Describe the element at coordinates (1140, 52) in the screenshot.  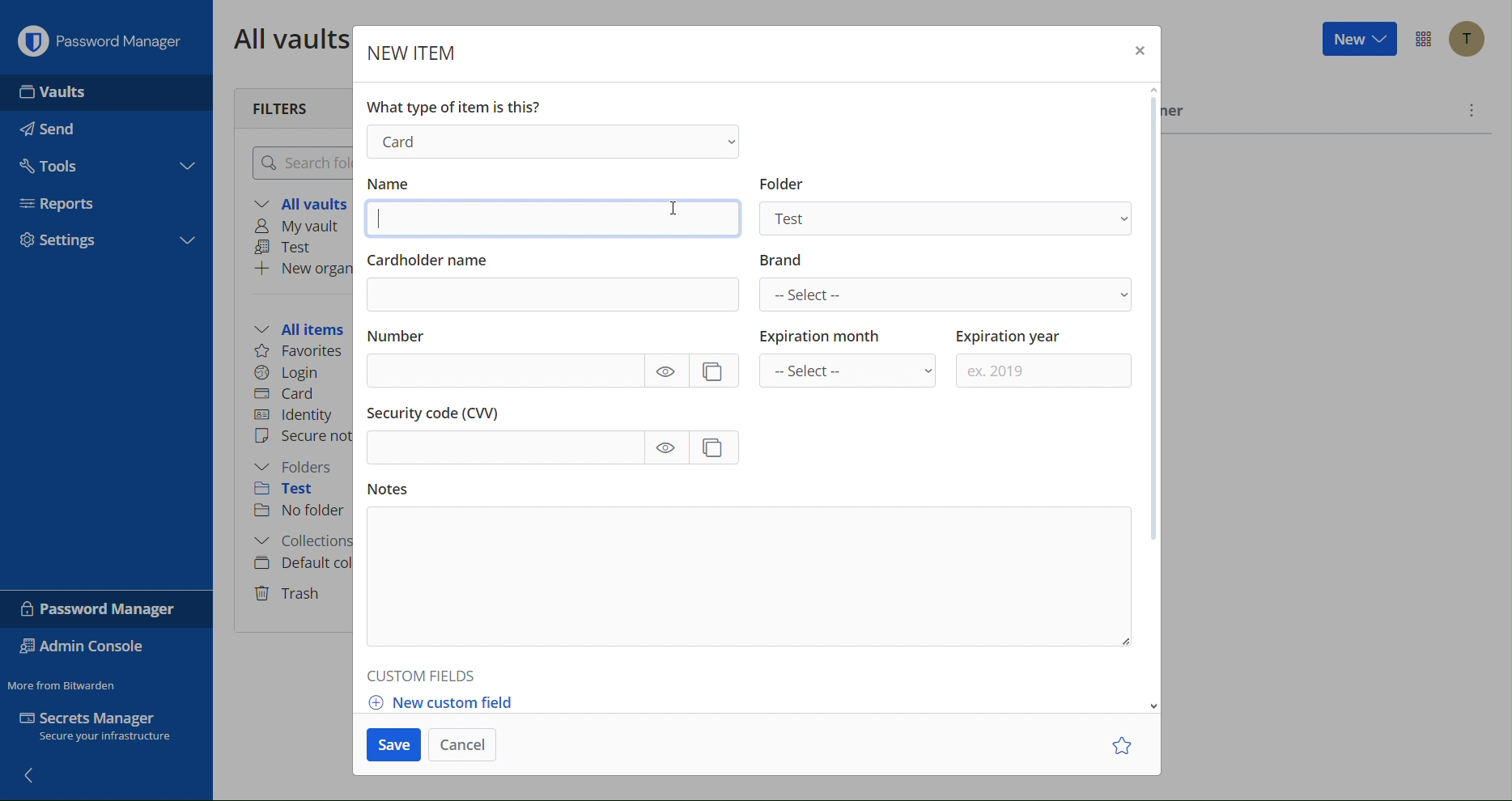
I see `Close` at that location.